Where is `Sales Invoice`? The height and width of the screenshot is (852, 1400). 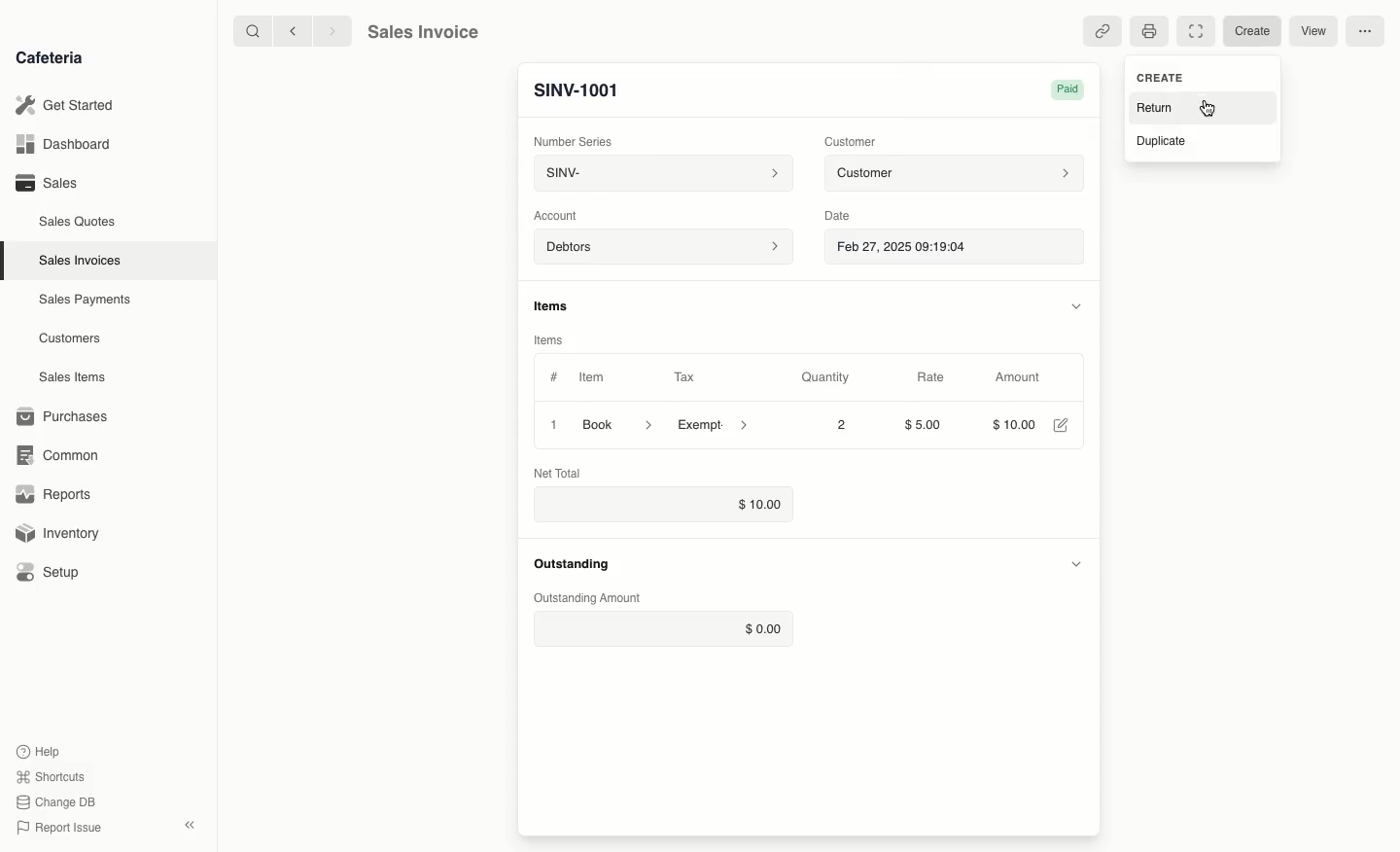
Sales Invoice is located at coordinates (423, 32).